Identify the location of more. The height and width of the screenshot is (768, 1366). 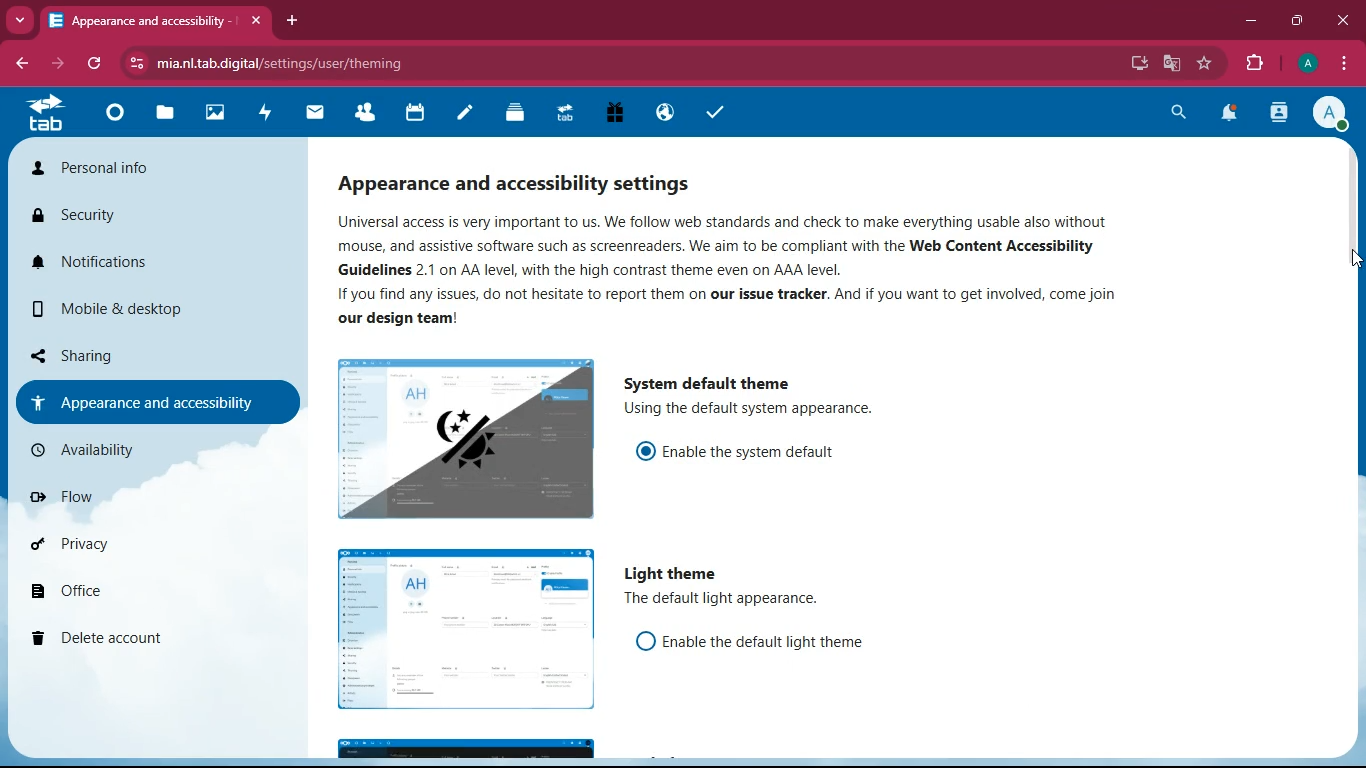
(22, 18).